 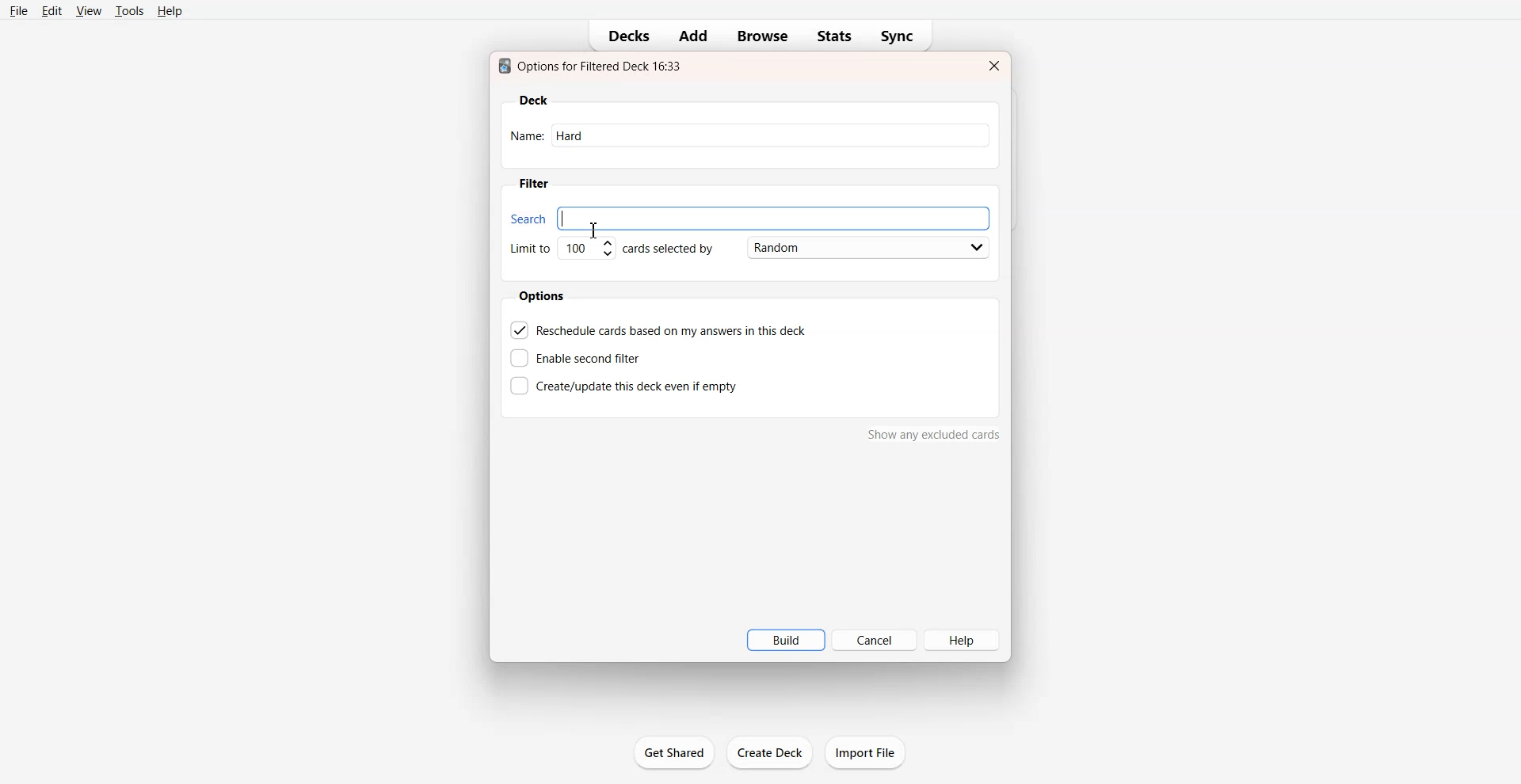 What do you see at coordinates (53, 11) in the screenshot?
I see `Edit` at bounding box center [53, 11].